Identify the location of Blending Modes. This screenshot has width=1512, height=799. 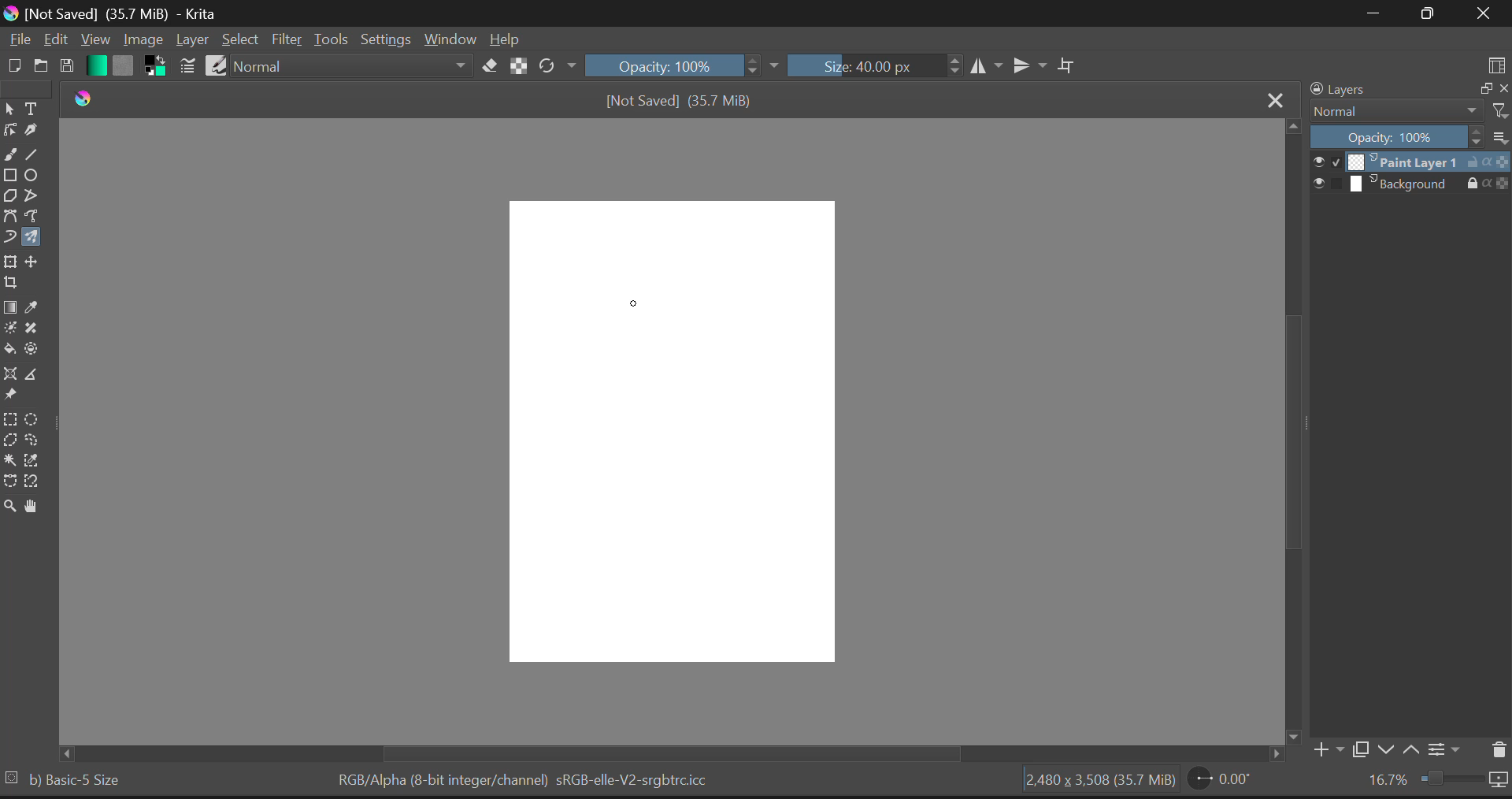
(1392, 111).